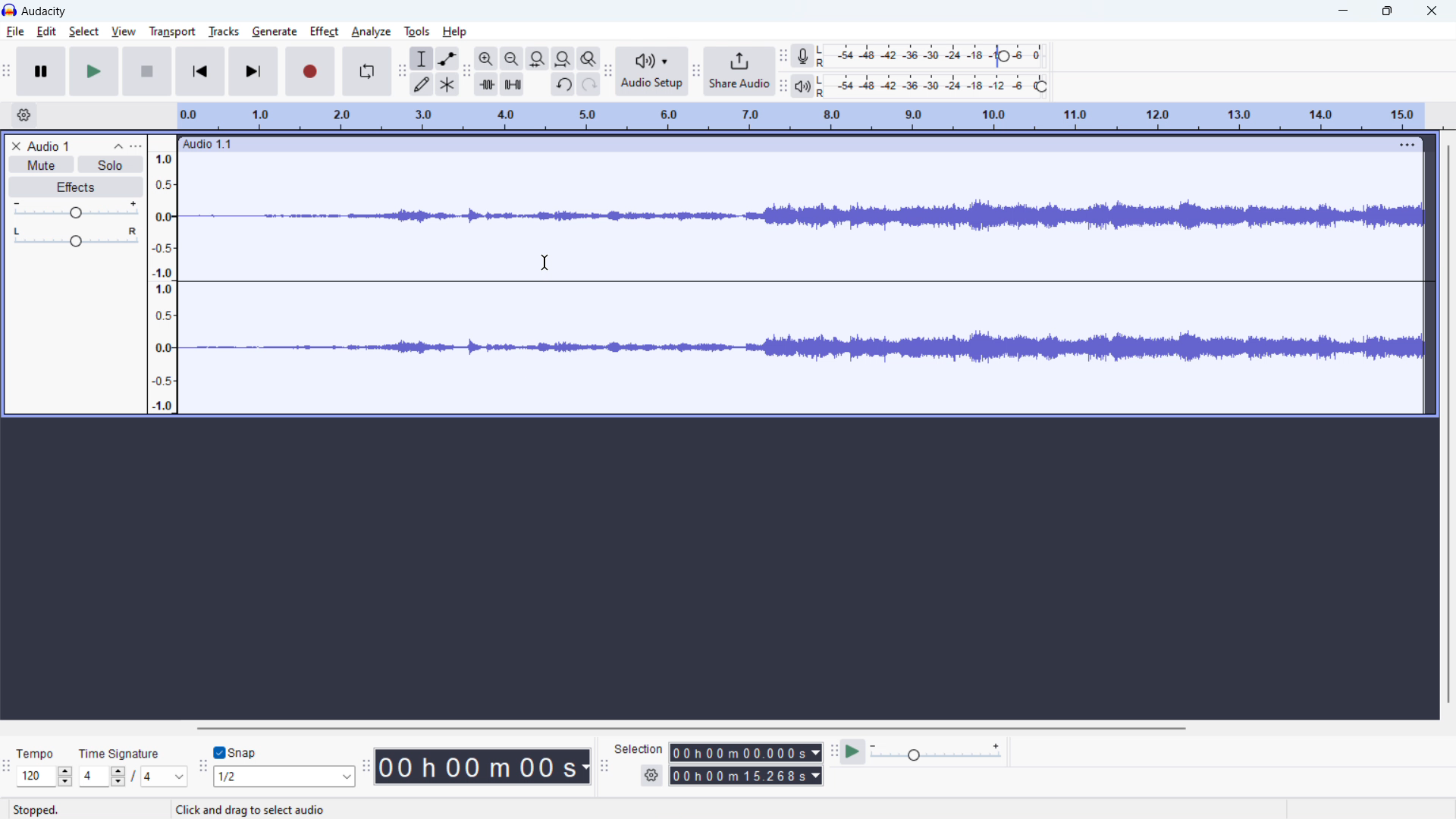 The image size is (1456, 819). Describe the element at coordinates (805, 344) in the screenshot. I see `soundtrack` at that location.